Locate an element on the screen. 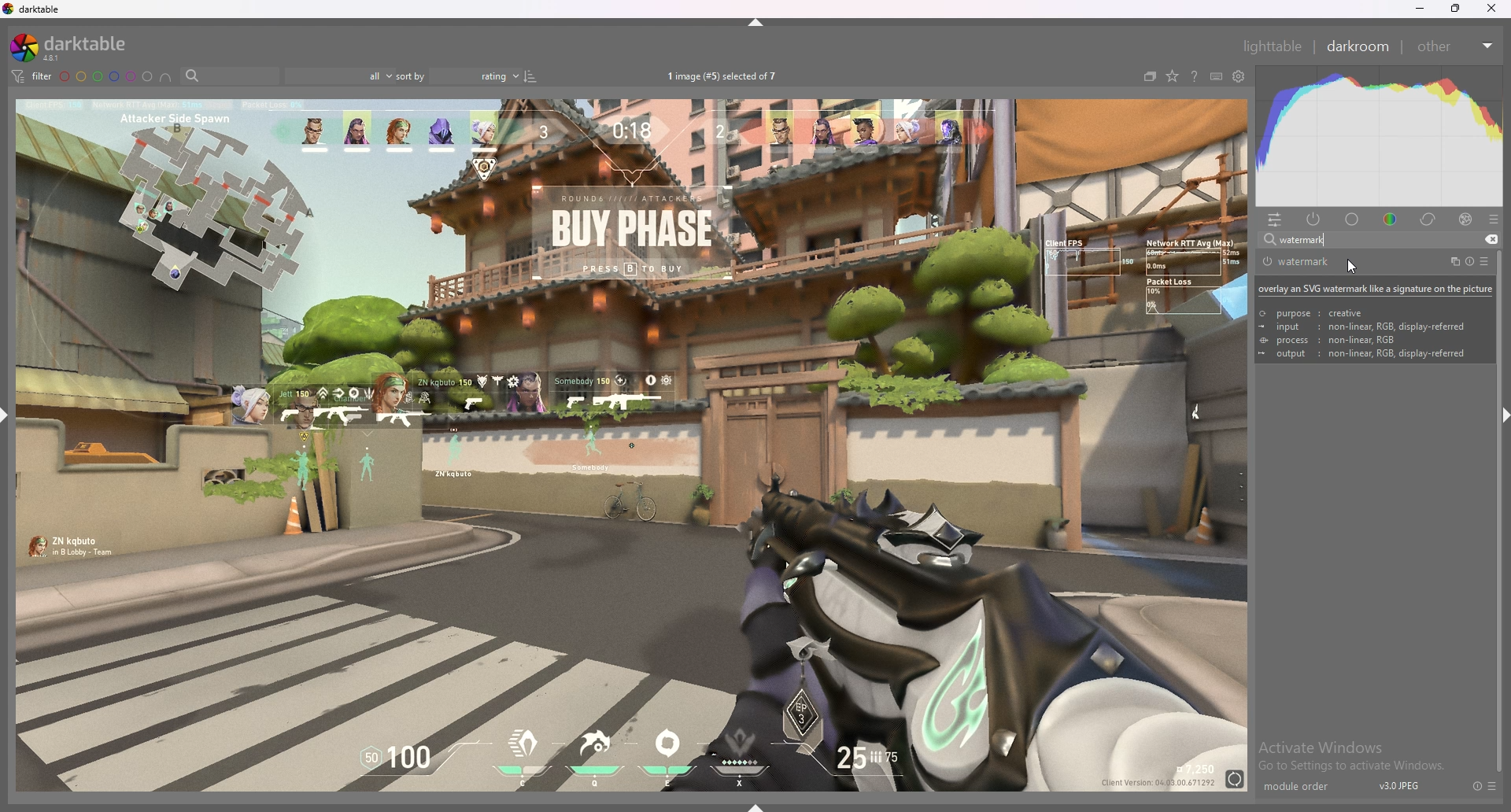 Image resolution: width=1511 pixels, height=812 pixels. reset is located at coordinates (1469, 262).